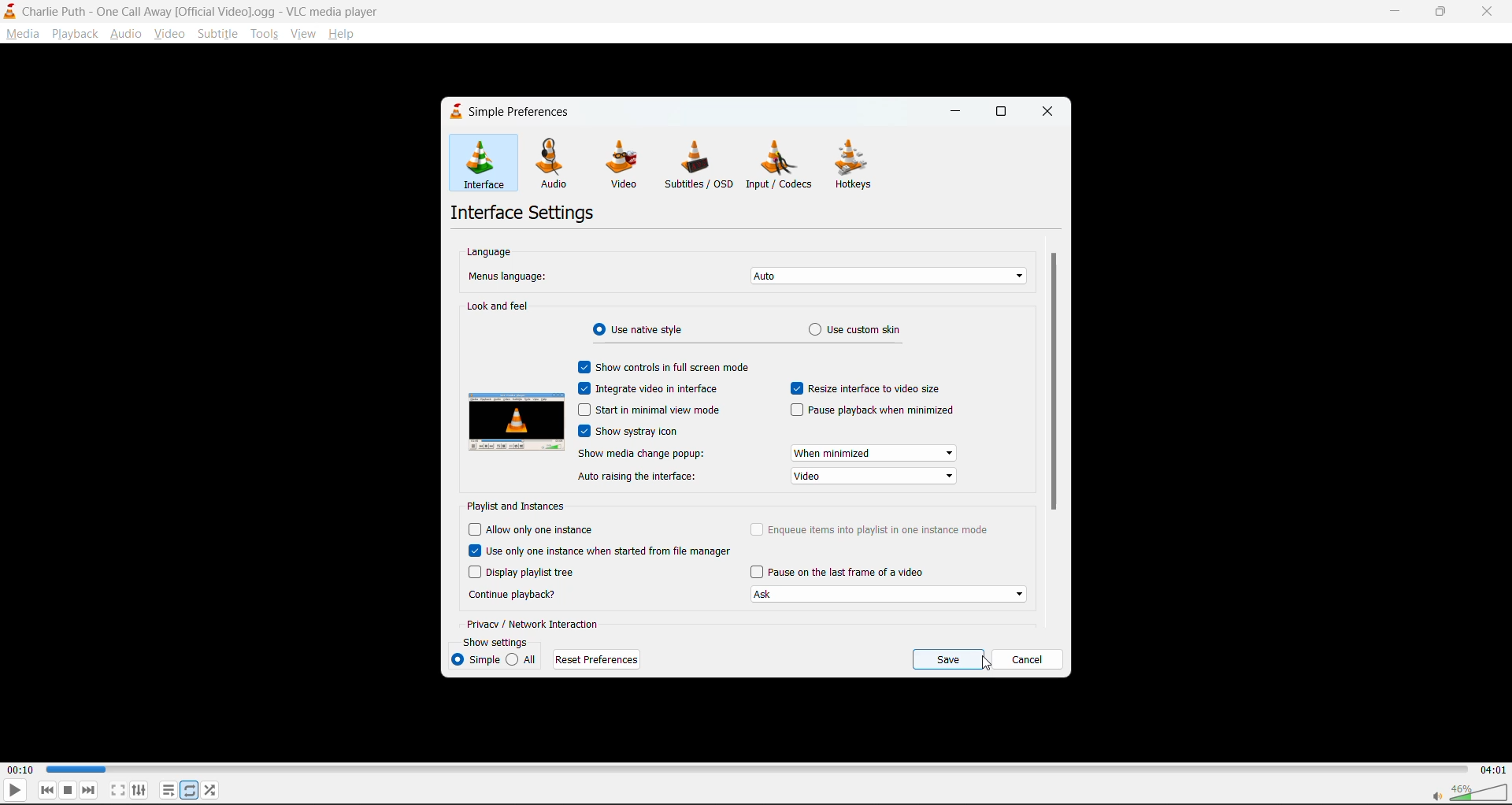 The width and height of the screenshot is (1512, 805). I want to click on privacy/network interaction, so click(534, 625).